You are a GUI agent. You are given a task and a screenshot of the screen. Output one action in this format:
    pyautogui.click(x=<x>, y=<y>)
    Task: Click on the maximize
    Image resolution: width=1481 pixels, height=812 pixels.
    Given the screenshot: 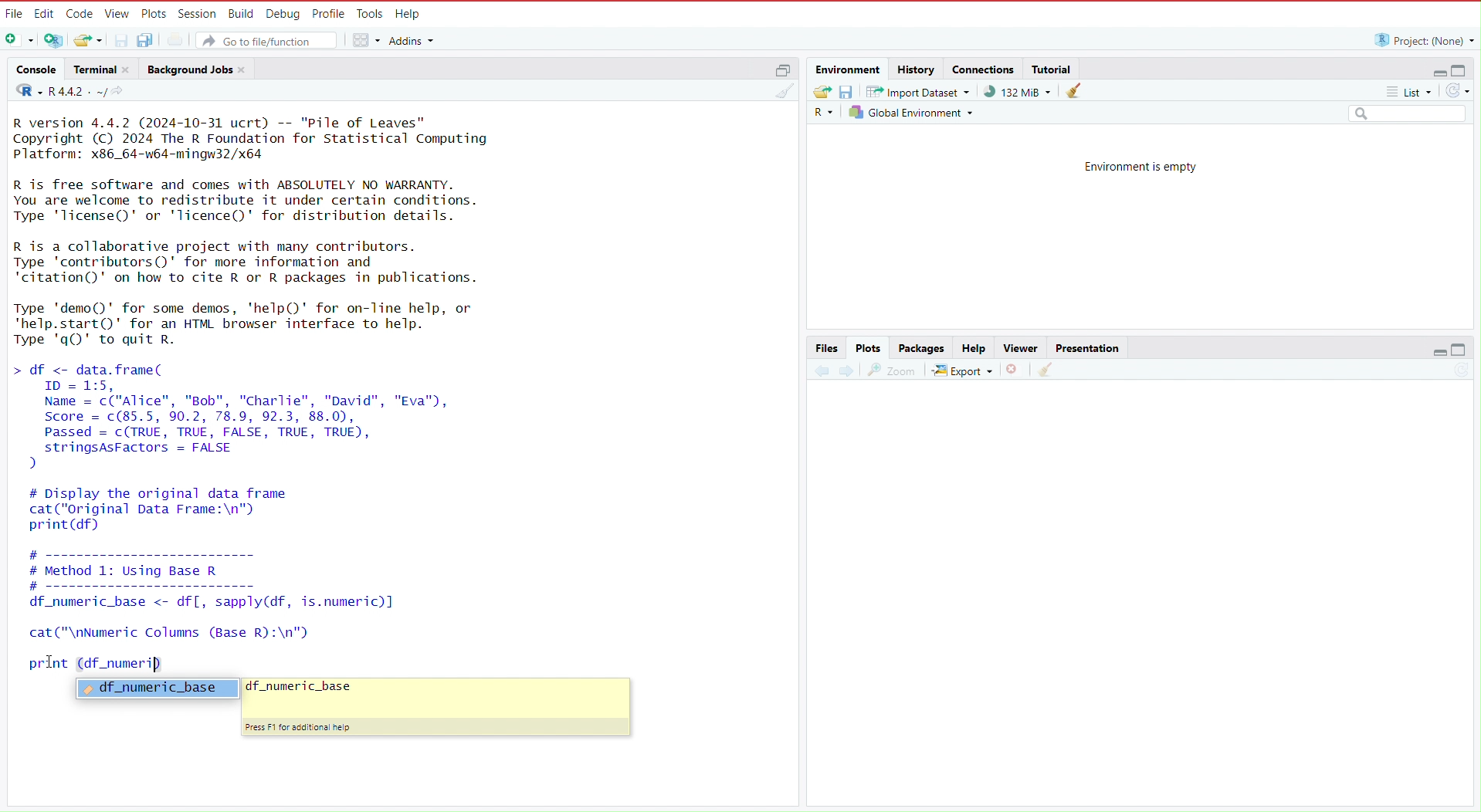 What is the action you would take?
    pyautogui.click(x=1466, y=68)
    